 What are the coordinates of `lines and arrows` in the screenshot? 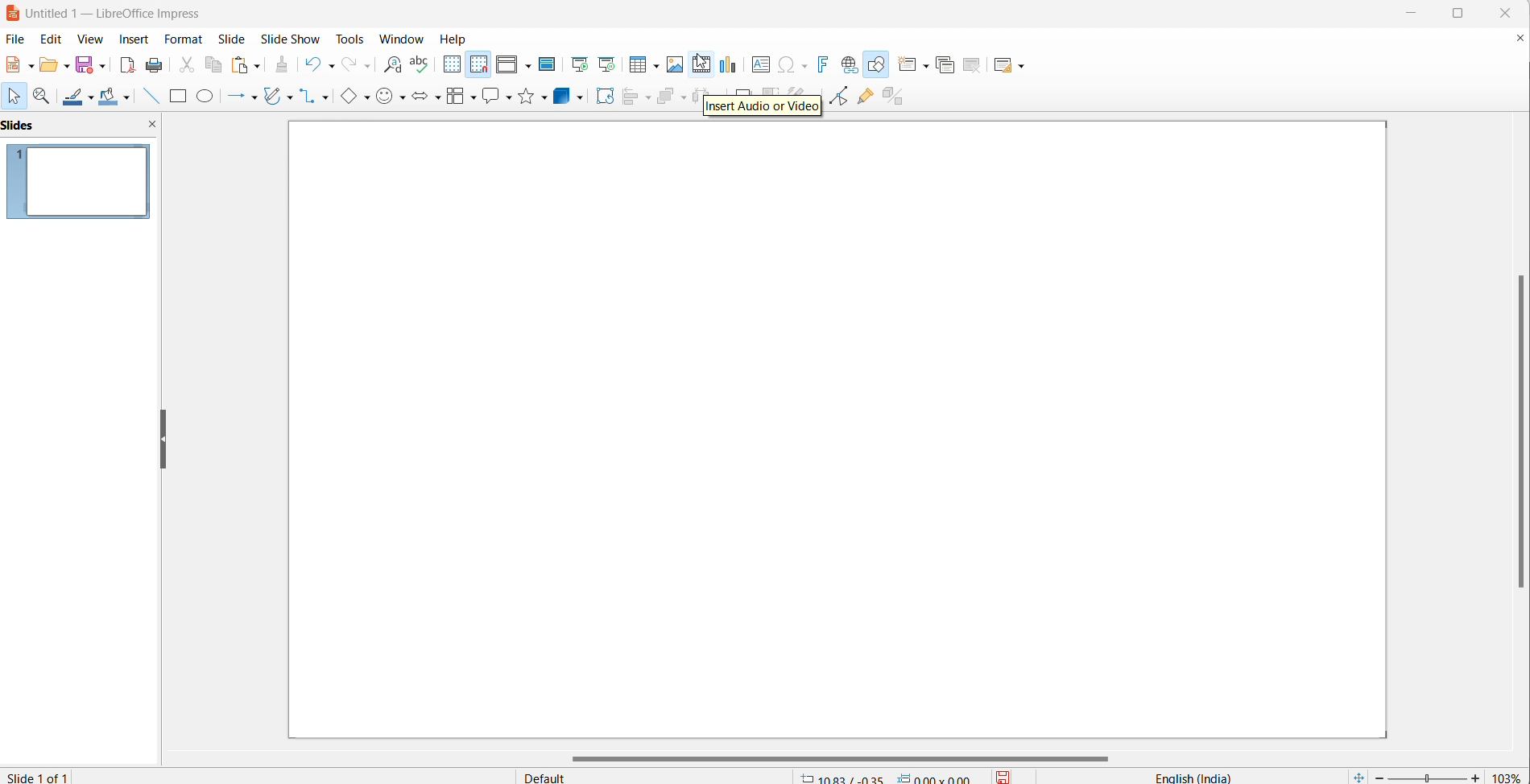 It's located at (236, 97).